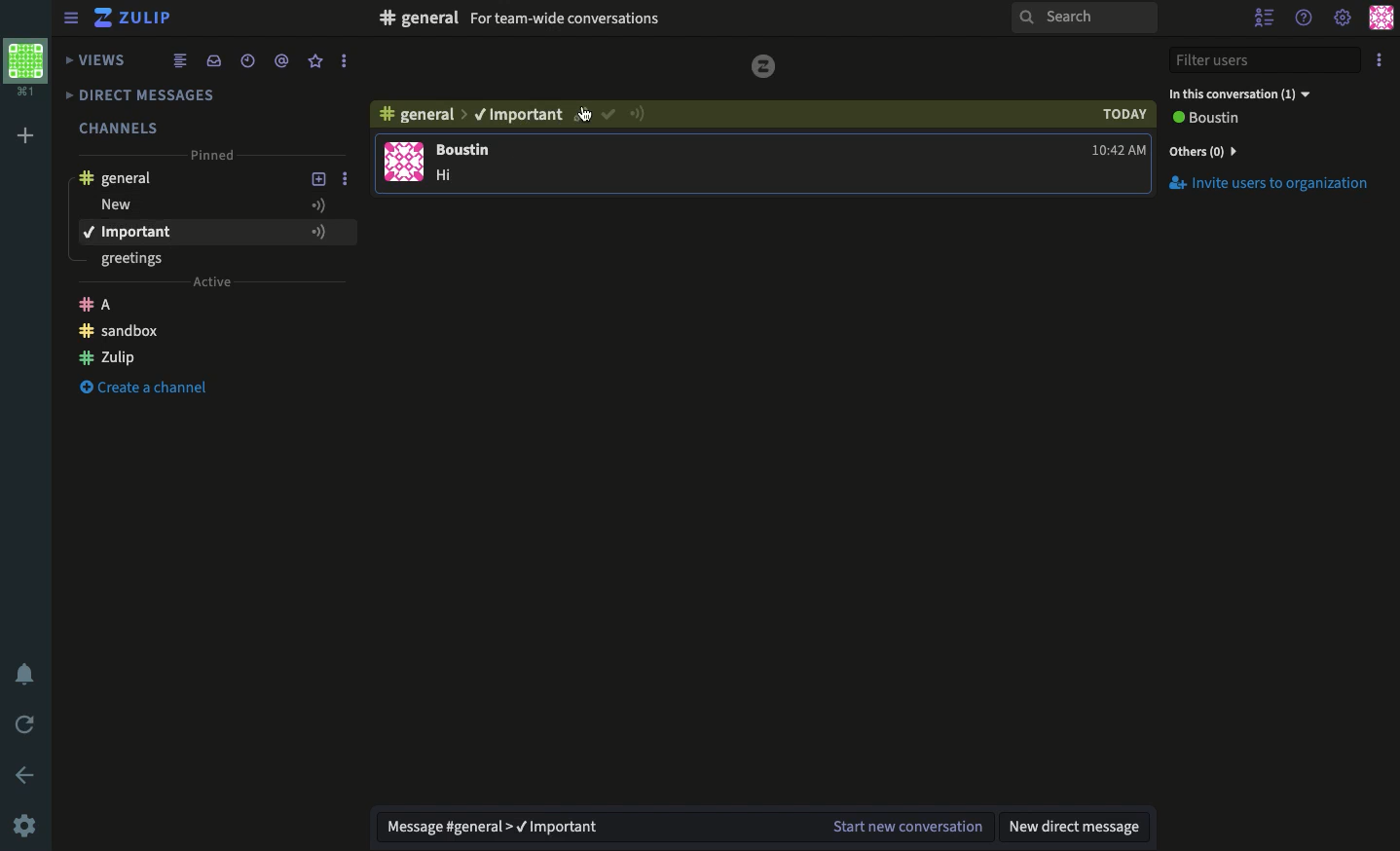  I want to click on Resolved, so click(608, 117).